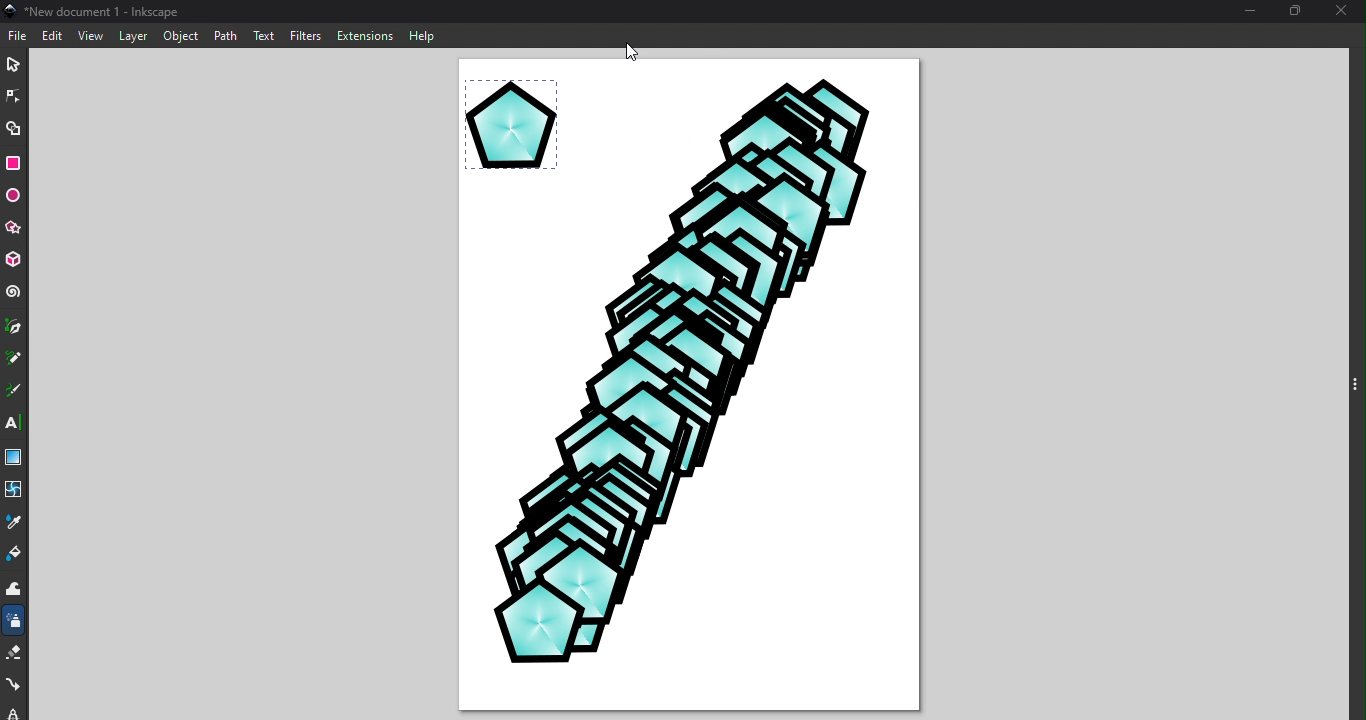 The height and width of the screenshot is (720, 1366). I want to click on lock, so click(14, 710).